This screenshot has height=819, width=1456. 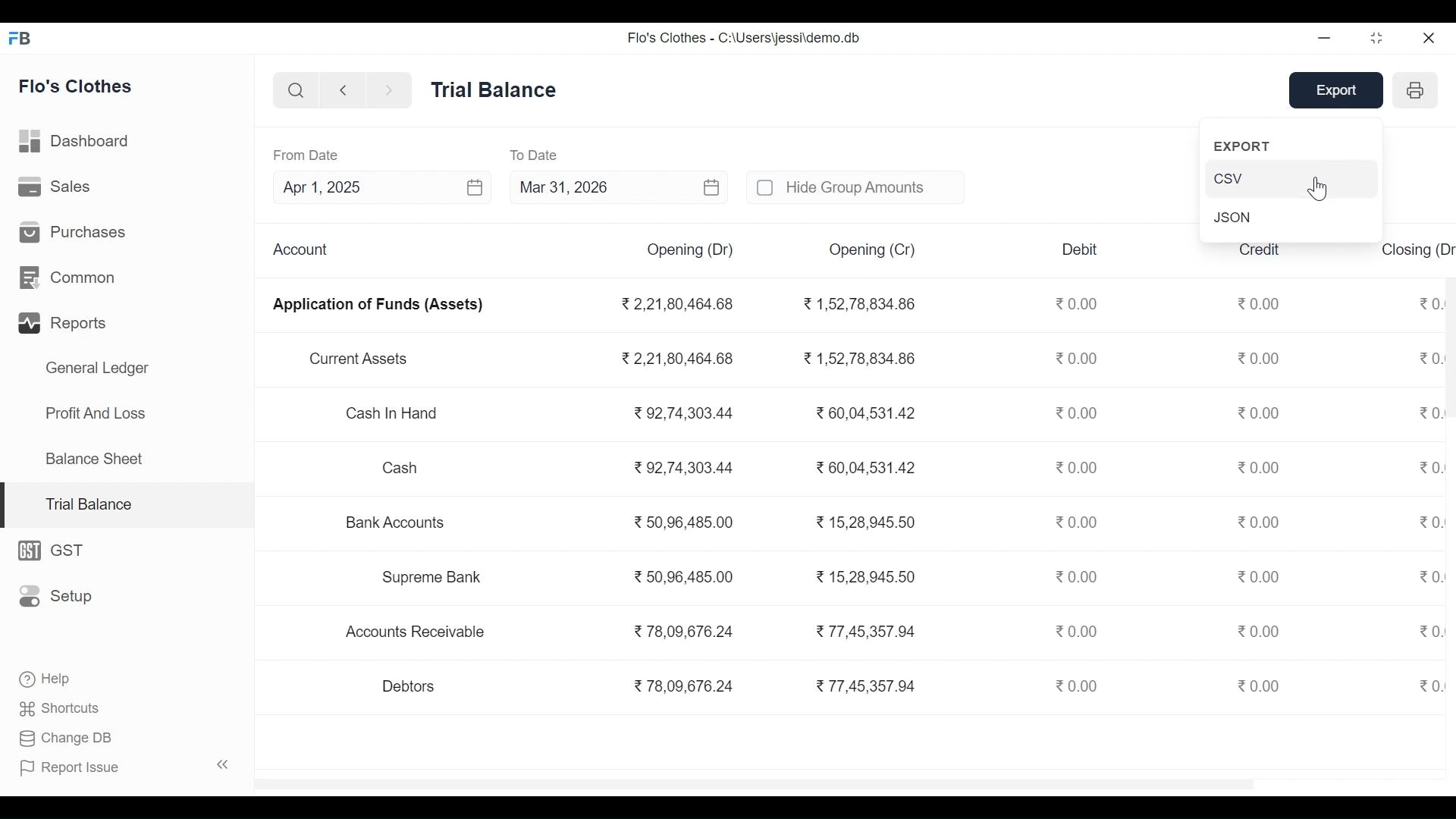 What do you see at coordinates (684, 521) in the screenshot?
I see `50.96 485.00` at bounding box center [684, 521].